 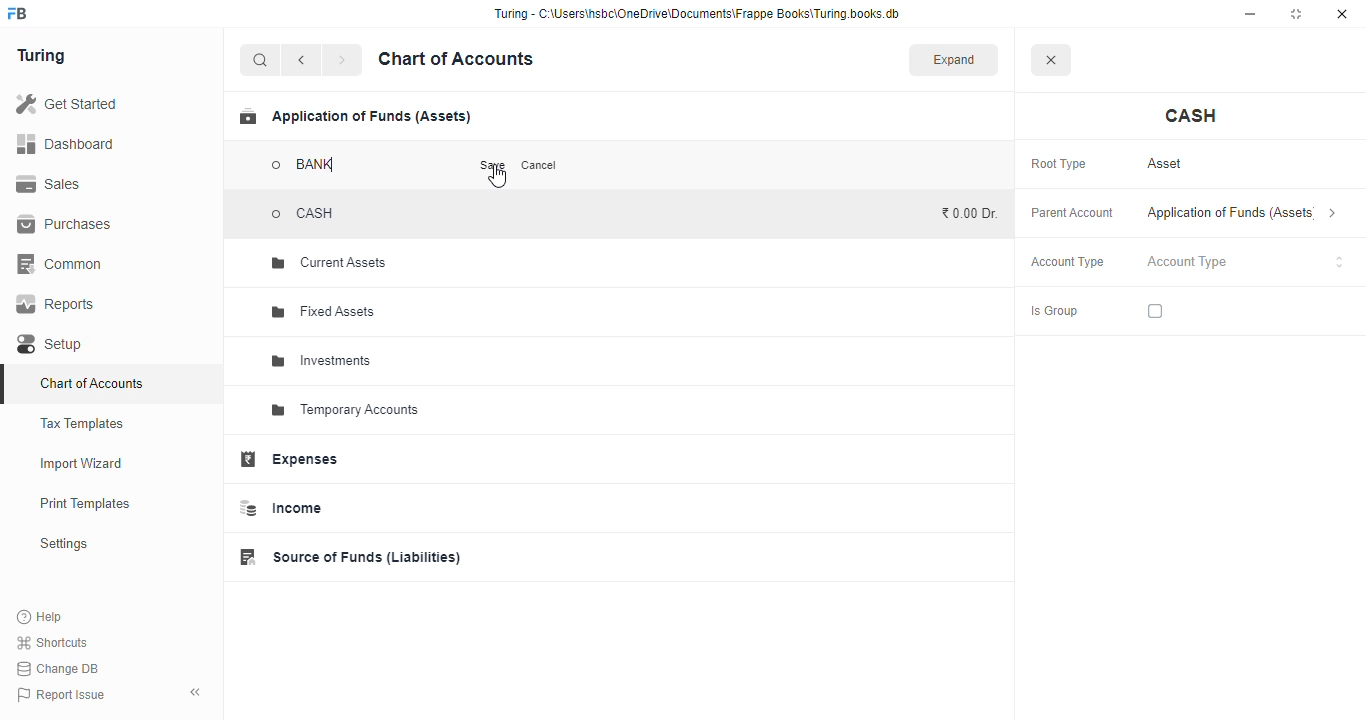 I want to click on common, so click(x=61, y=264).